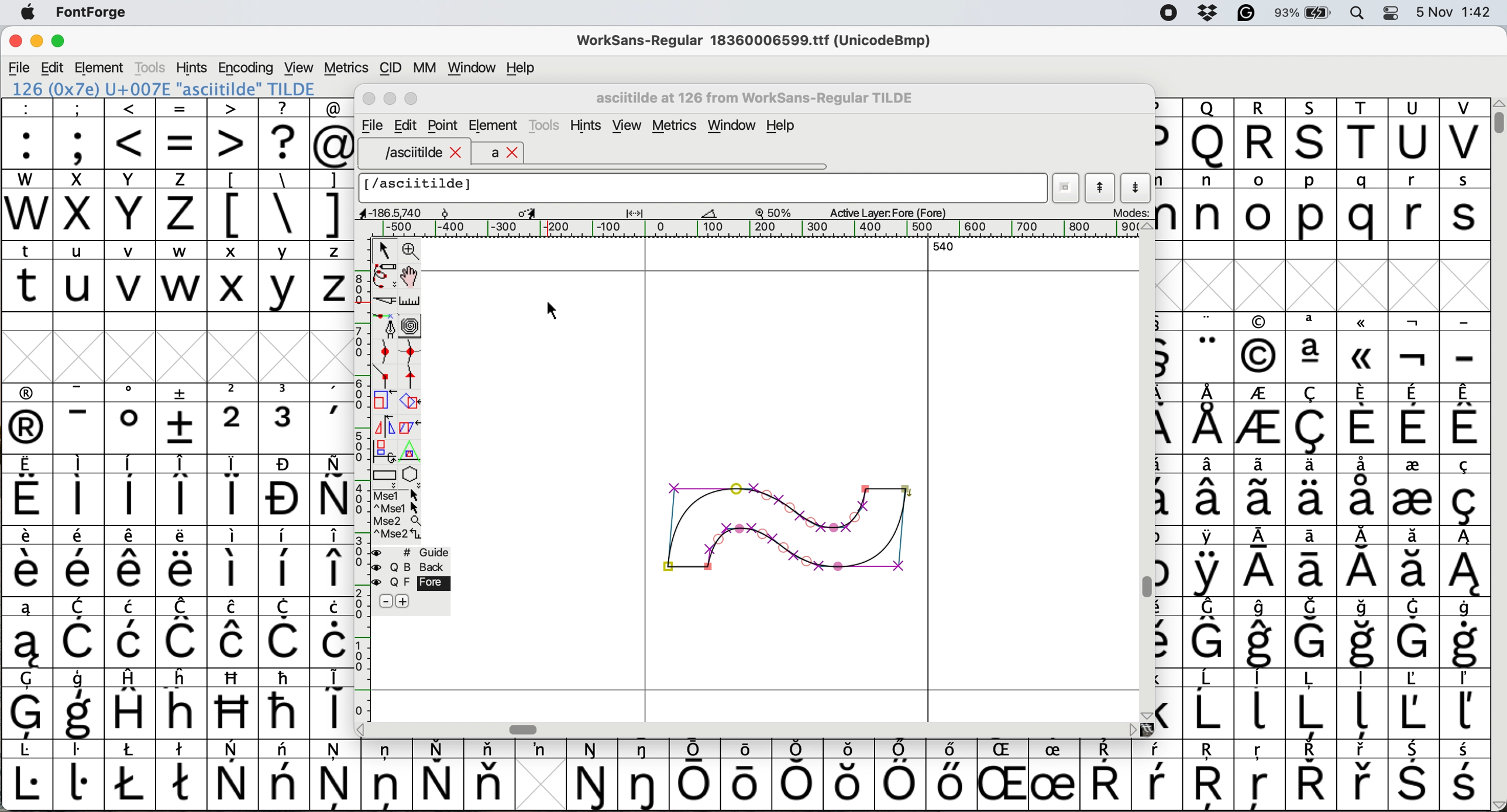 The width and height of the screenshot is (1507, 812). Describe the element at coordinates (233, 133) in the screenshot. I see `>` at that location.